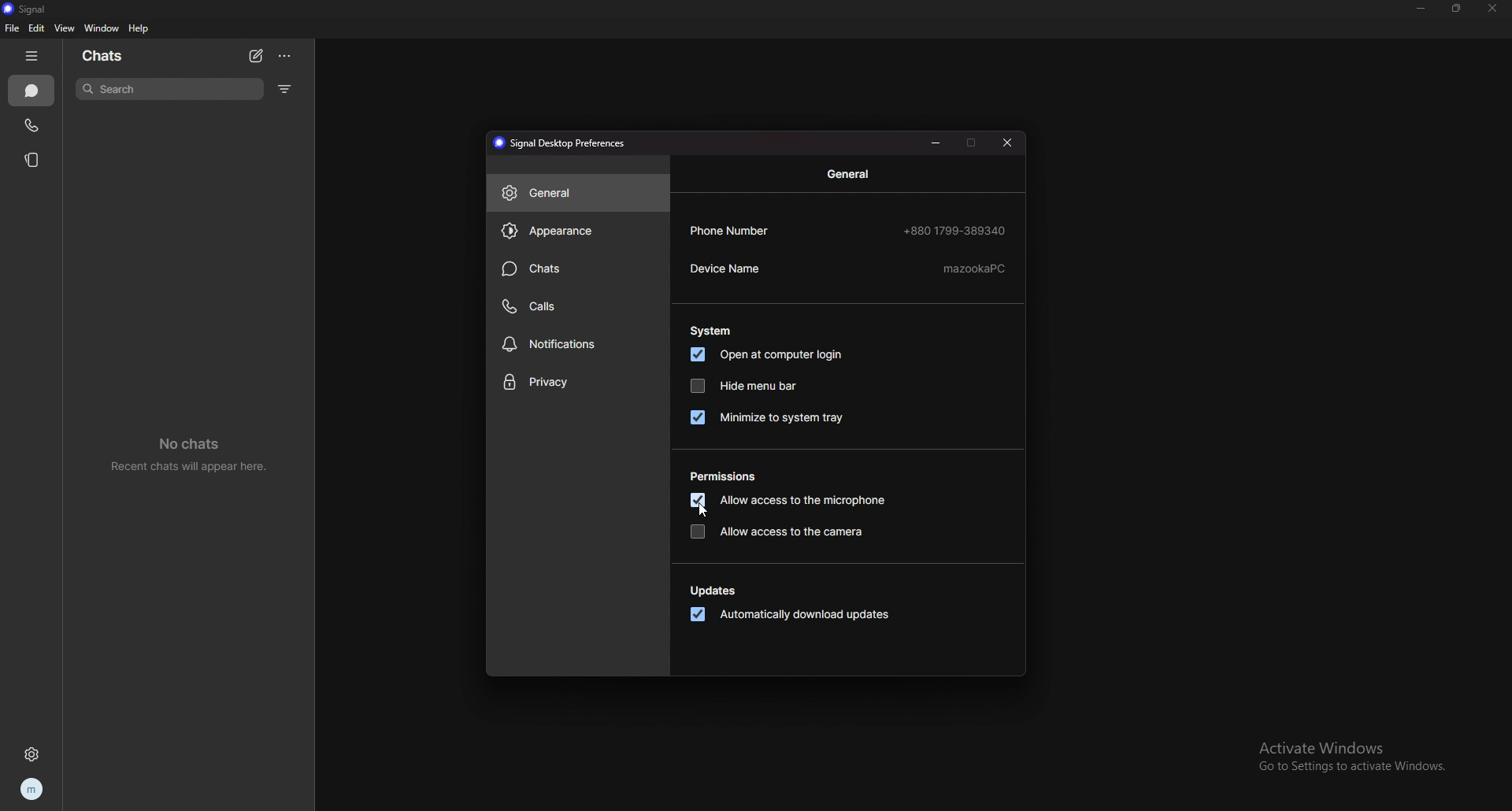 The image size is (1512, 811). Describe the element at coordinates (724, 476) in the screenshot. I see `permissions` at that location.